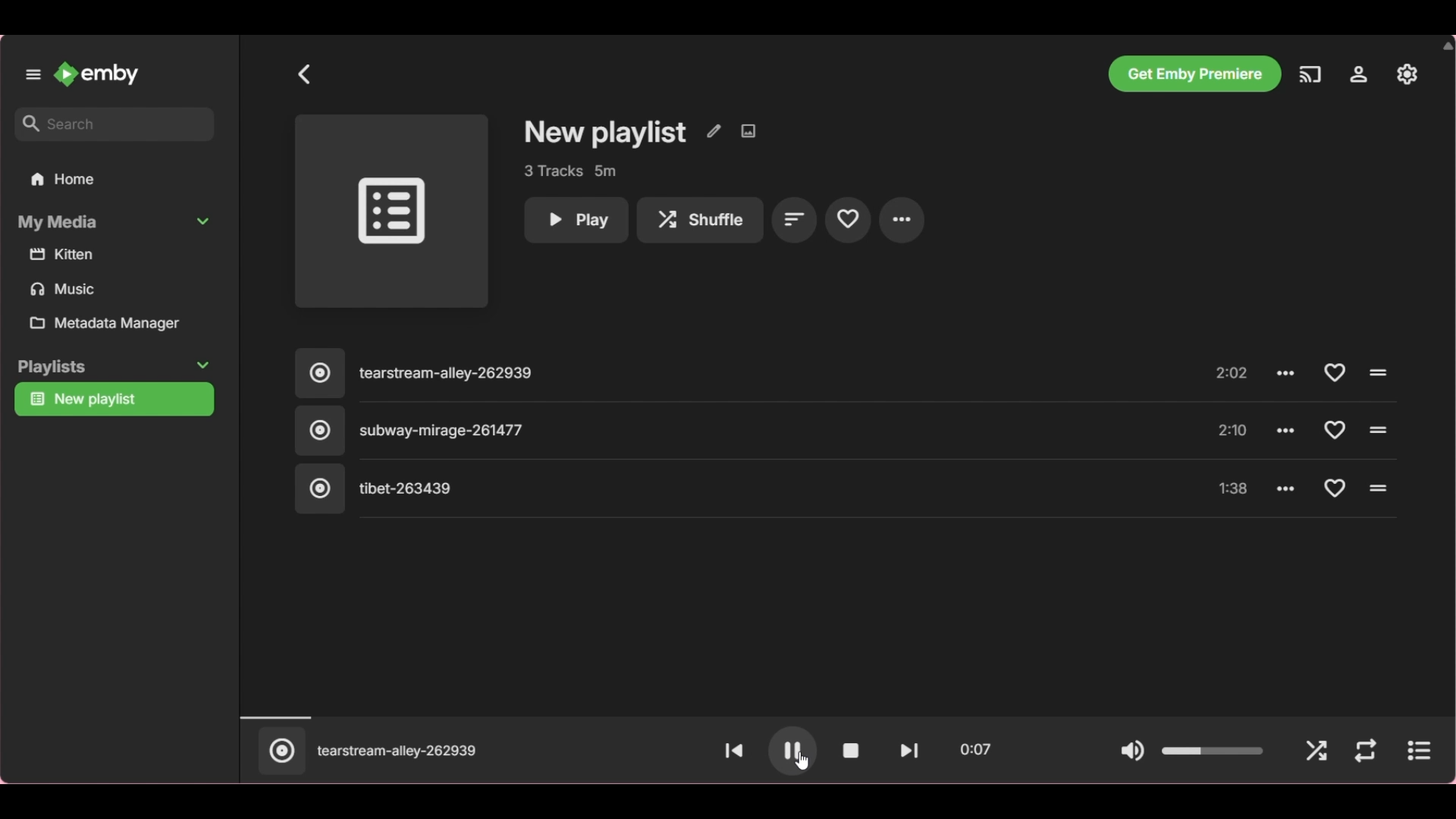 This screenshot has width=1456, height=819. Describe the element at coordinates (1132, 752) in the screenshot. I see `Mute` at that location.